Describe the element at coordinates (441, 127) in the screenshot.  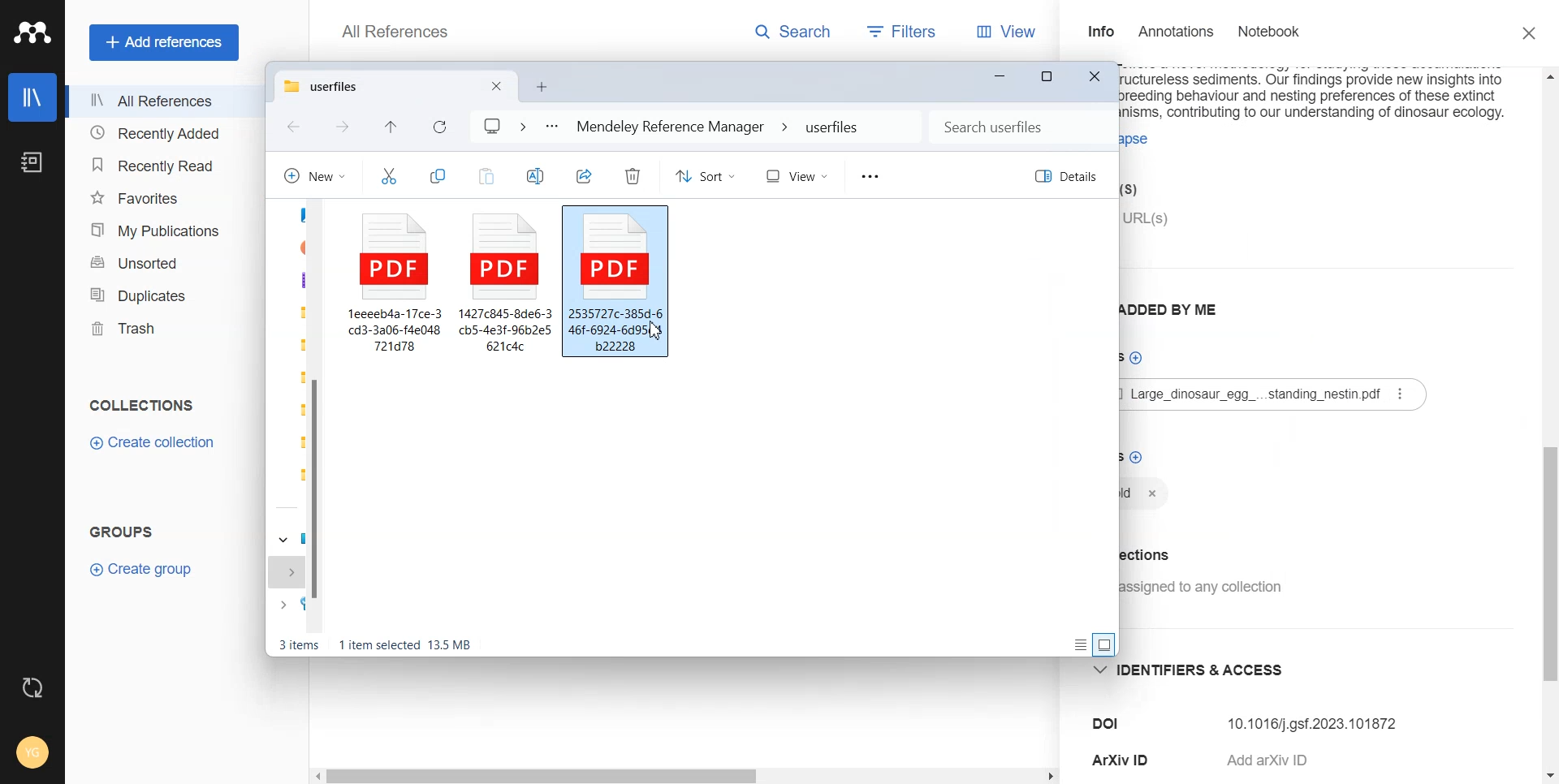
I see `Refresh` at that location.